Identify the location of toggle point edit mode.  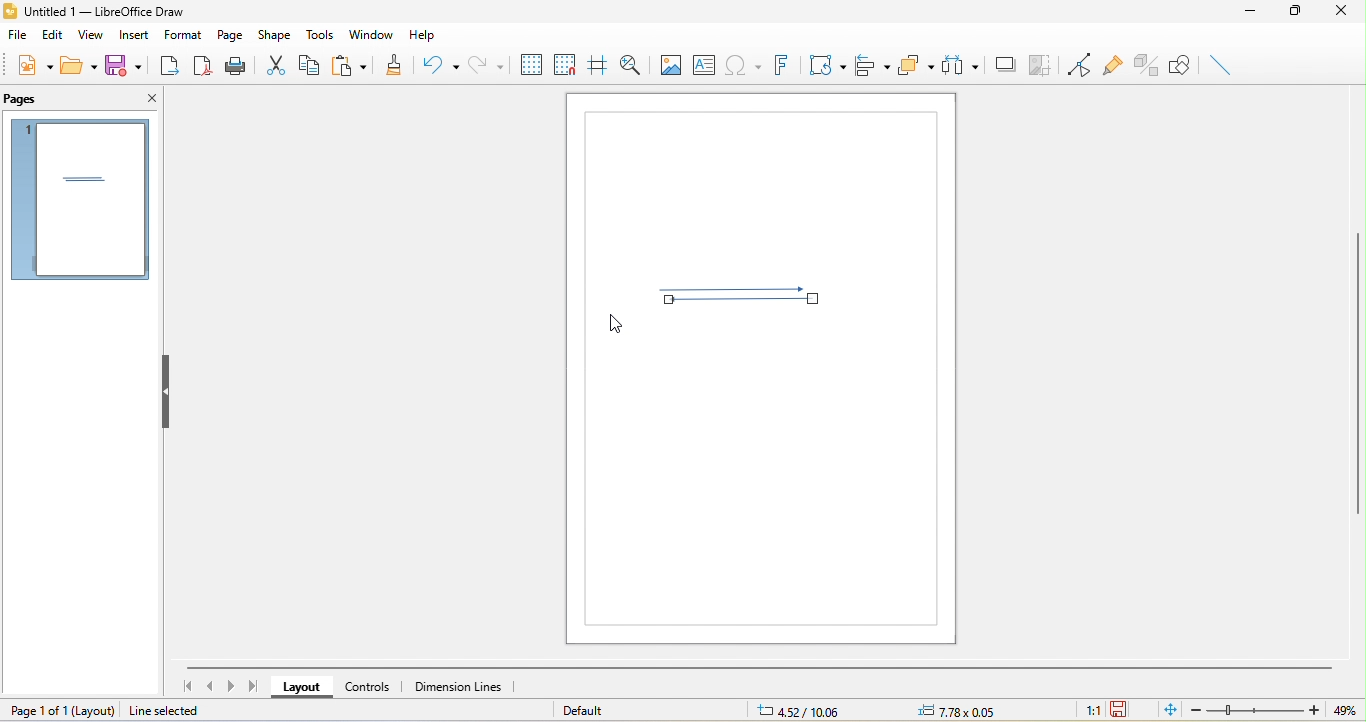
(1074, 62).